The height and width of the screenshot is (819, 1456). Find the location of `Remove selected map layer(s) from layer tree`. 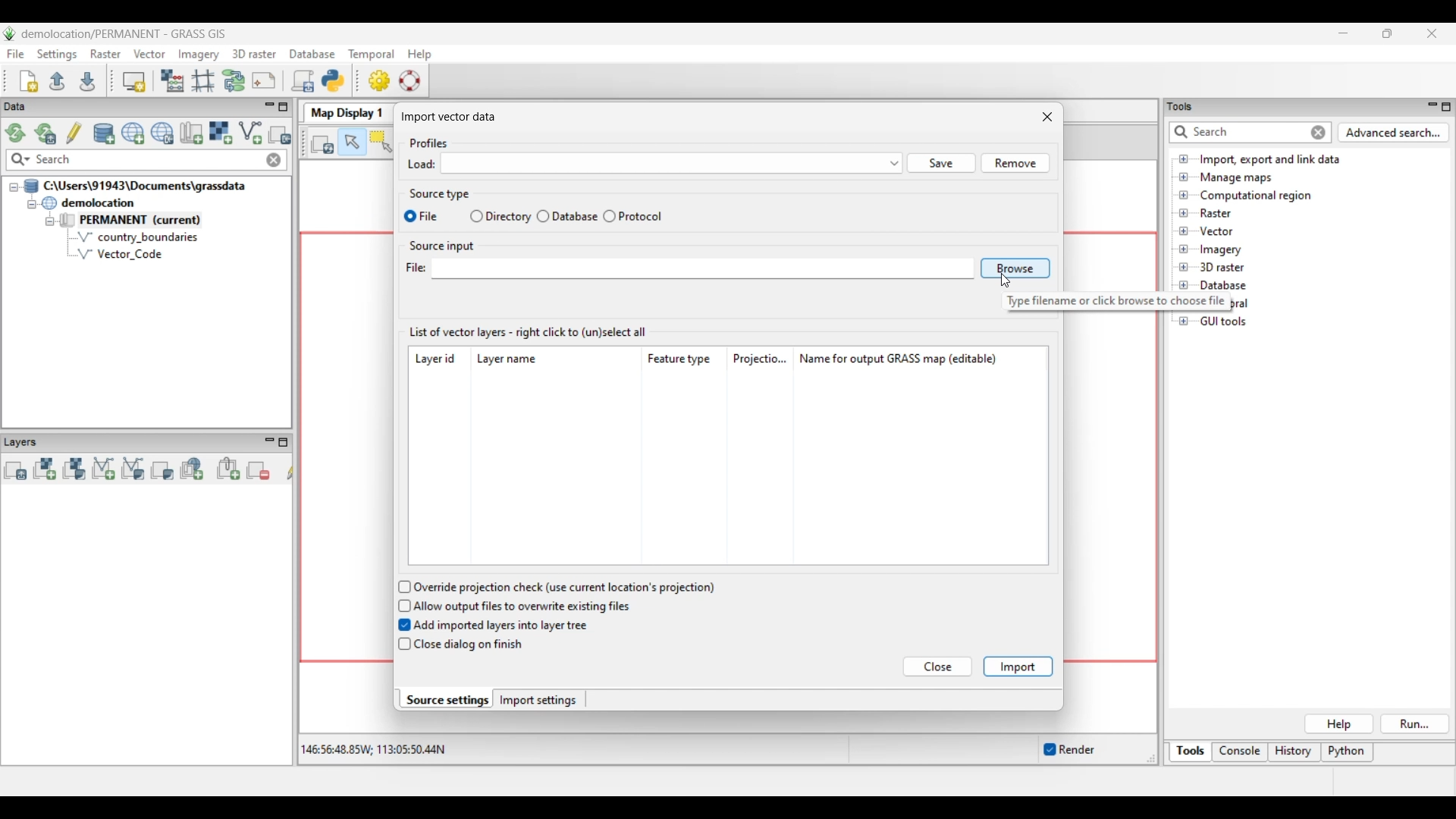

Remove selected map layer(s) from layer tree is located at coordinates (259, 469).